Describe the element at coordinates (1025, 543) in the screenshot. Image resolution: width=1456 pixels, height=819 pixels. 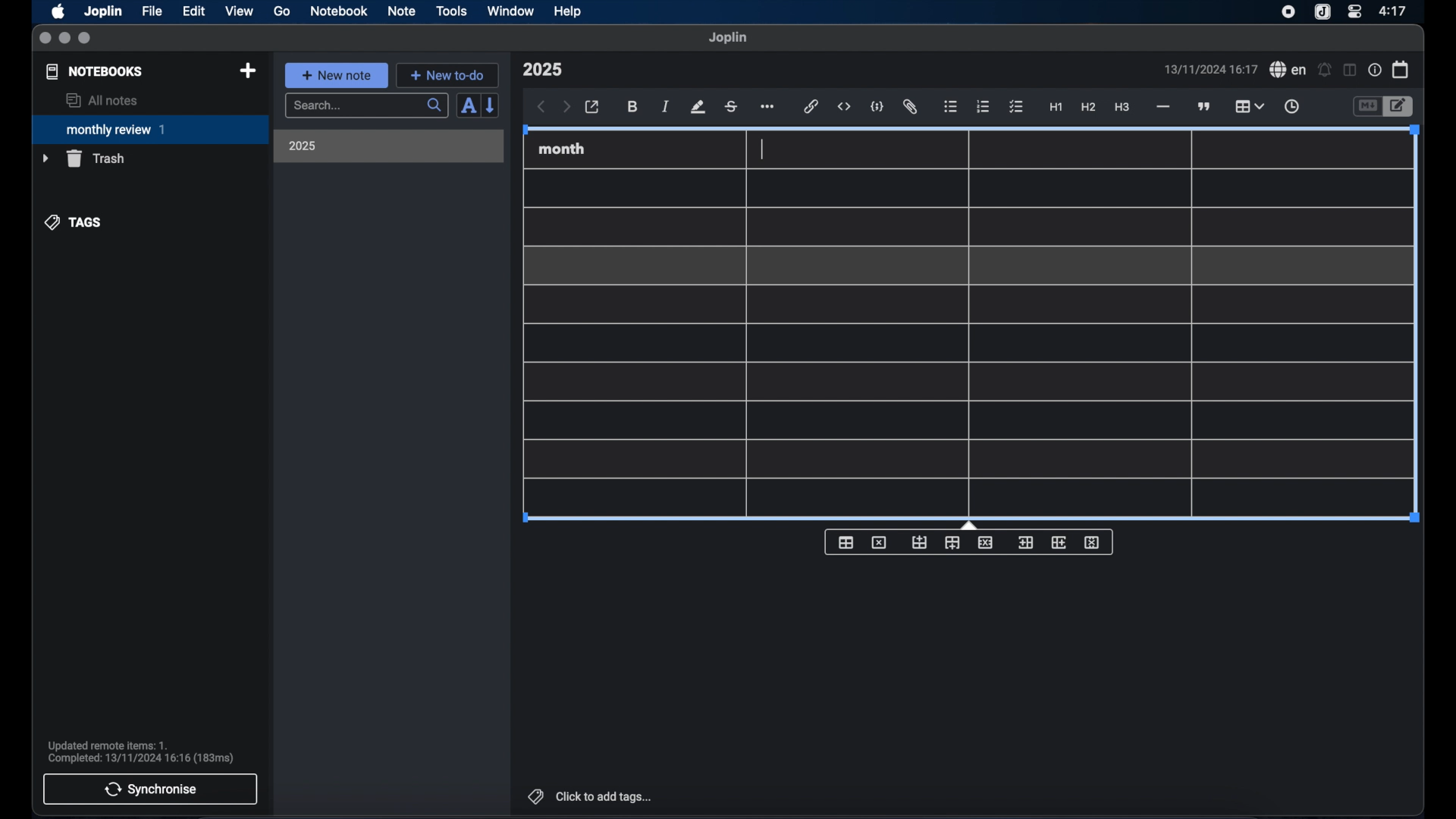
I see `insert column before` at that location.